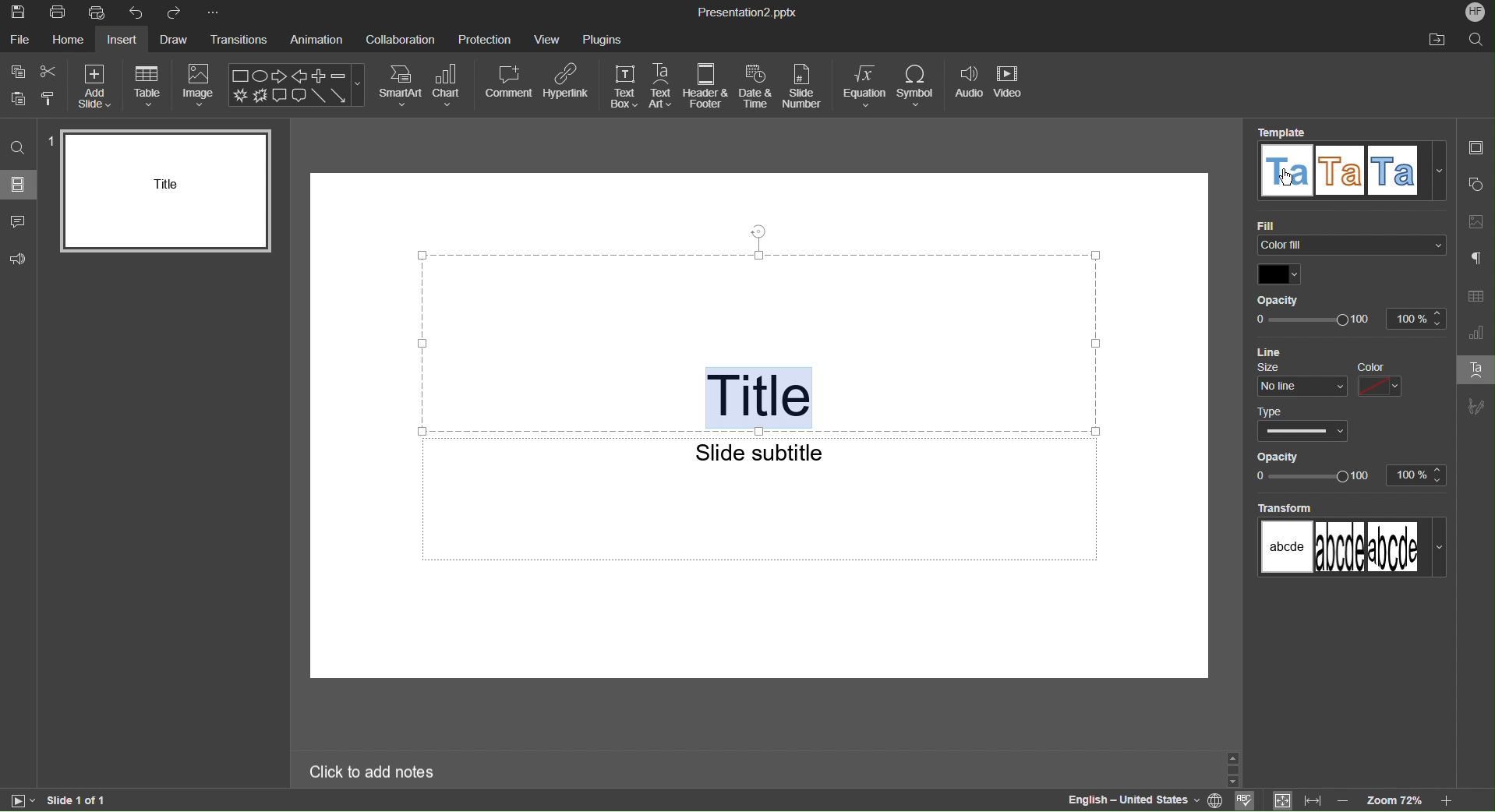 The height and width of the screenshot is (812, 1495). Describe the element at coordinates (1129, 800) in the screenshot. I see `Language` at that location.